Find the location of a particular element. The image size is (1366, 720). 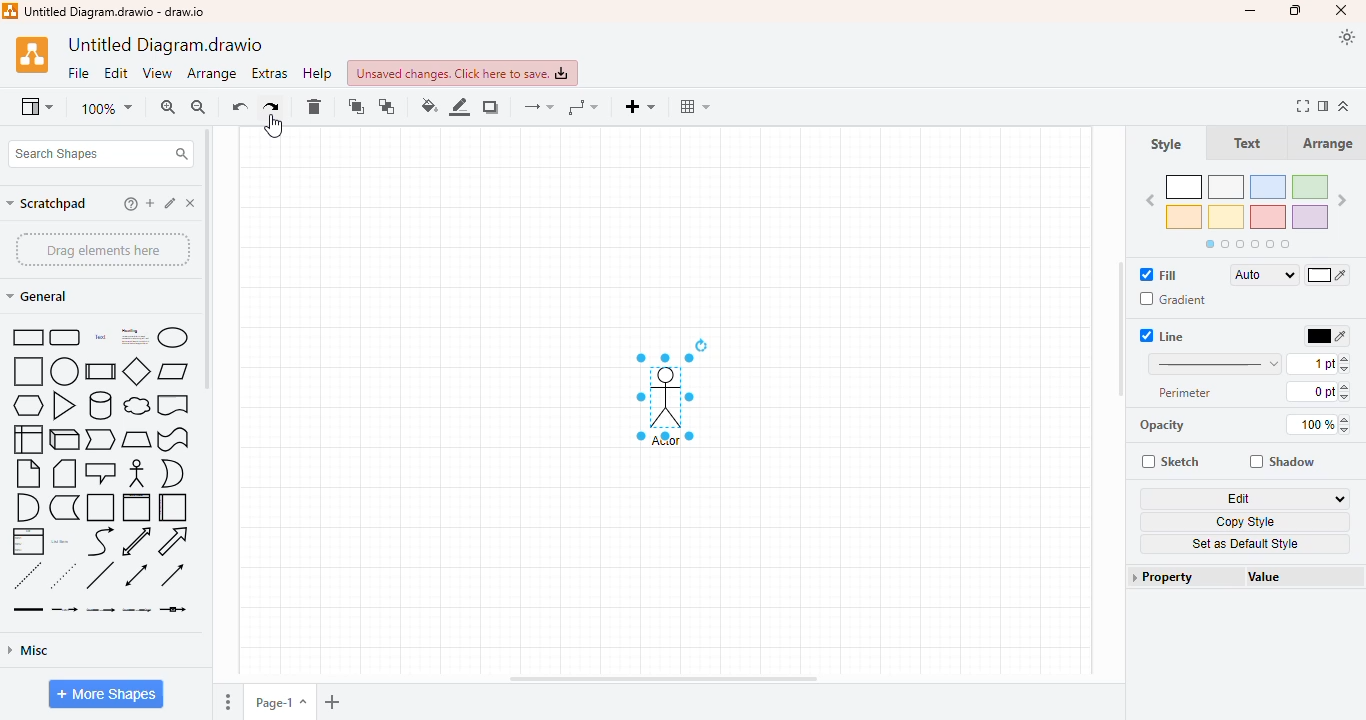

hexagon is located at coordinates (28, 406).